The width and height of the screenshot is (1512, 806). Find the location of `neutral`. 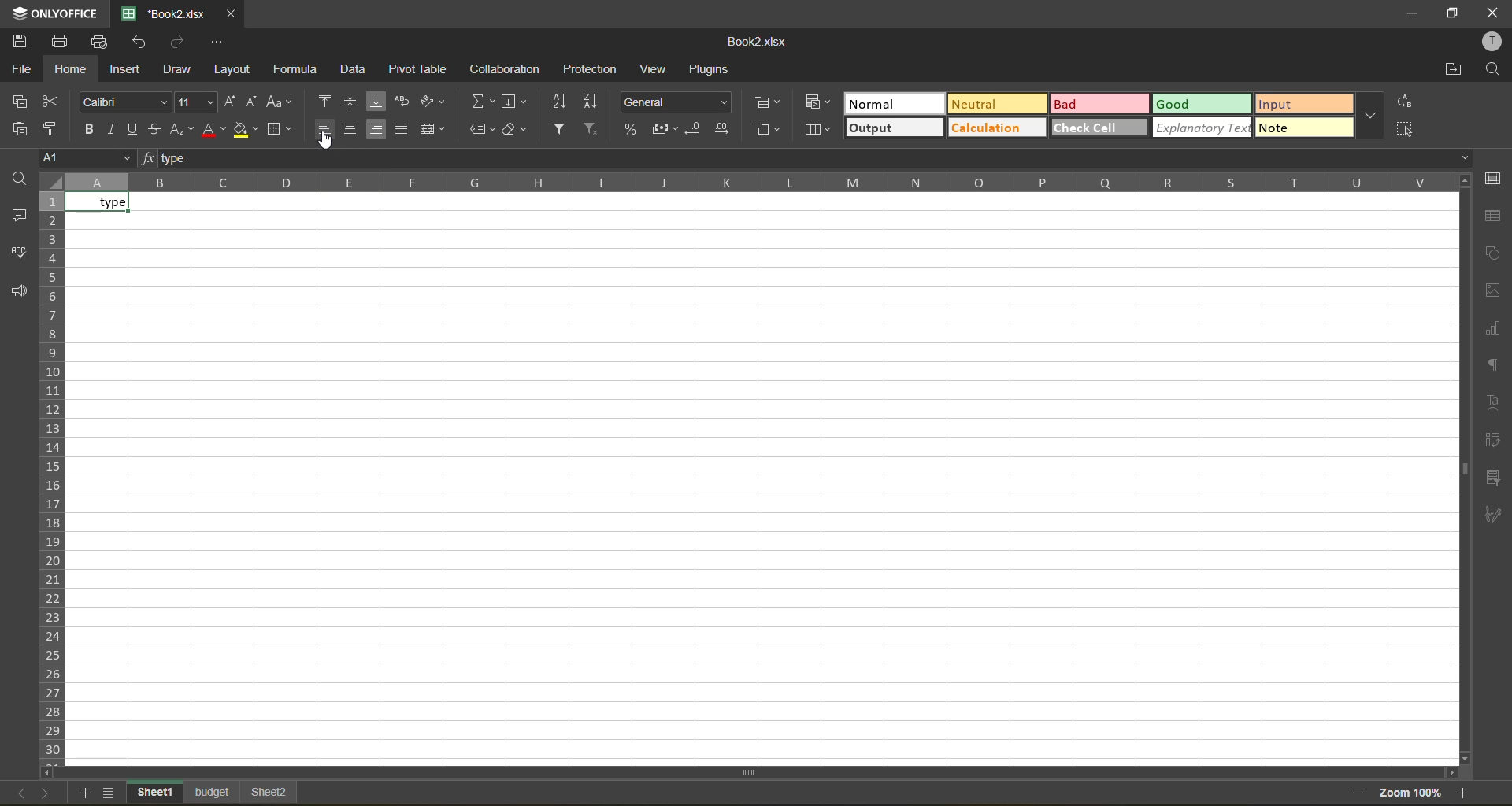

neutral is located at coordinates (995, 102).